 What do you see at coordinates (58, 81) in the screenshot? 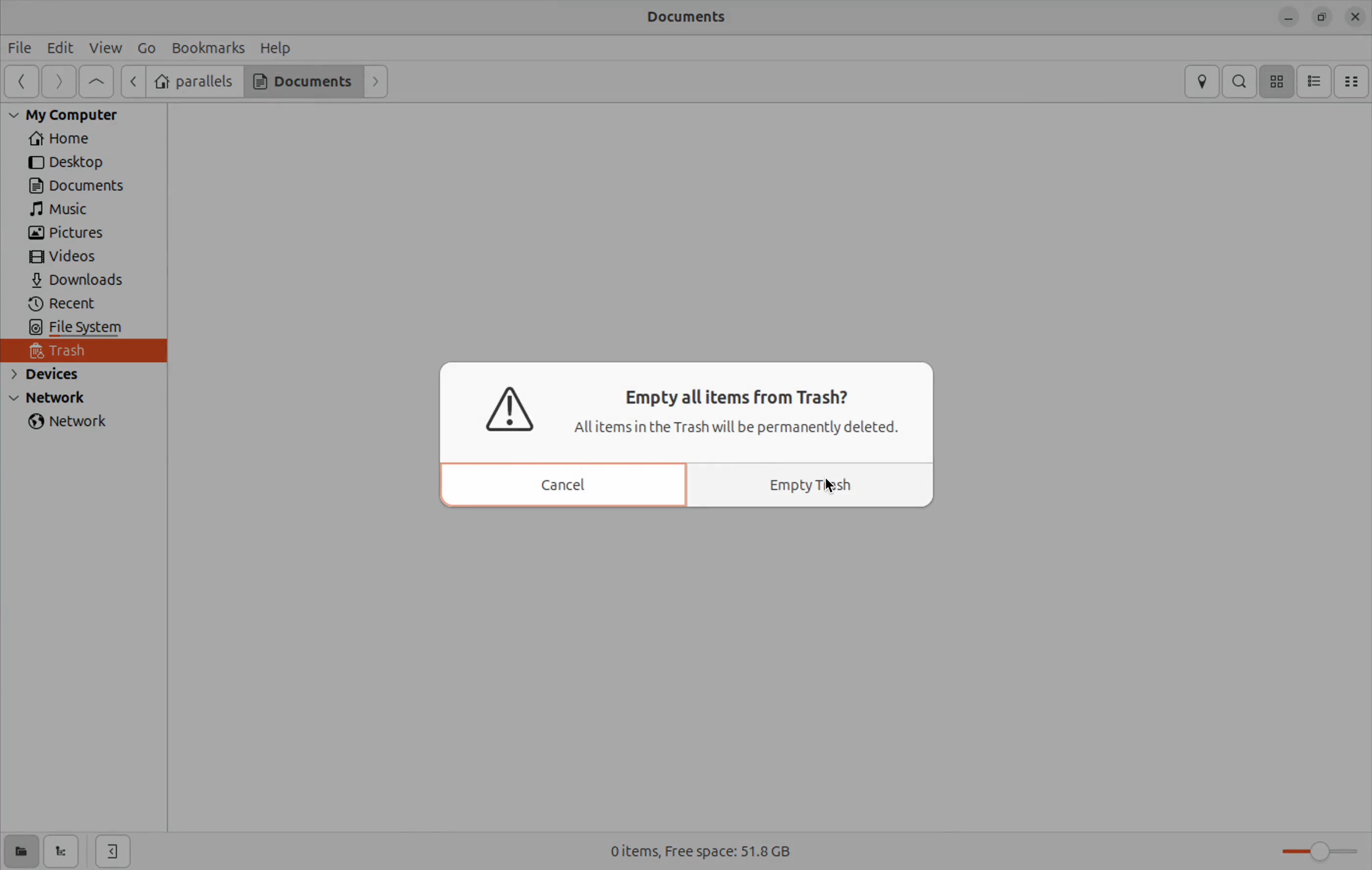
I see `Forward` at bounding box center [58, 81].